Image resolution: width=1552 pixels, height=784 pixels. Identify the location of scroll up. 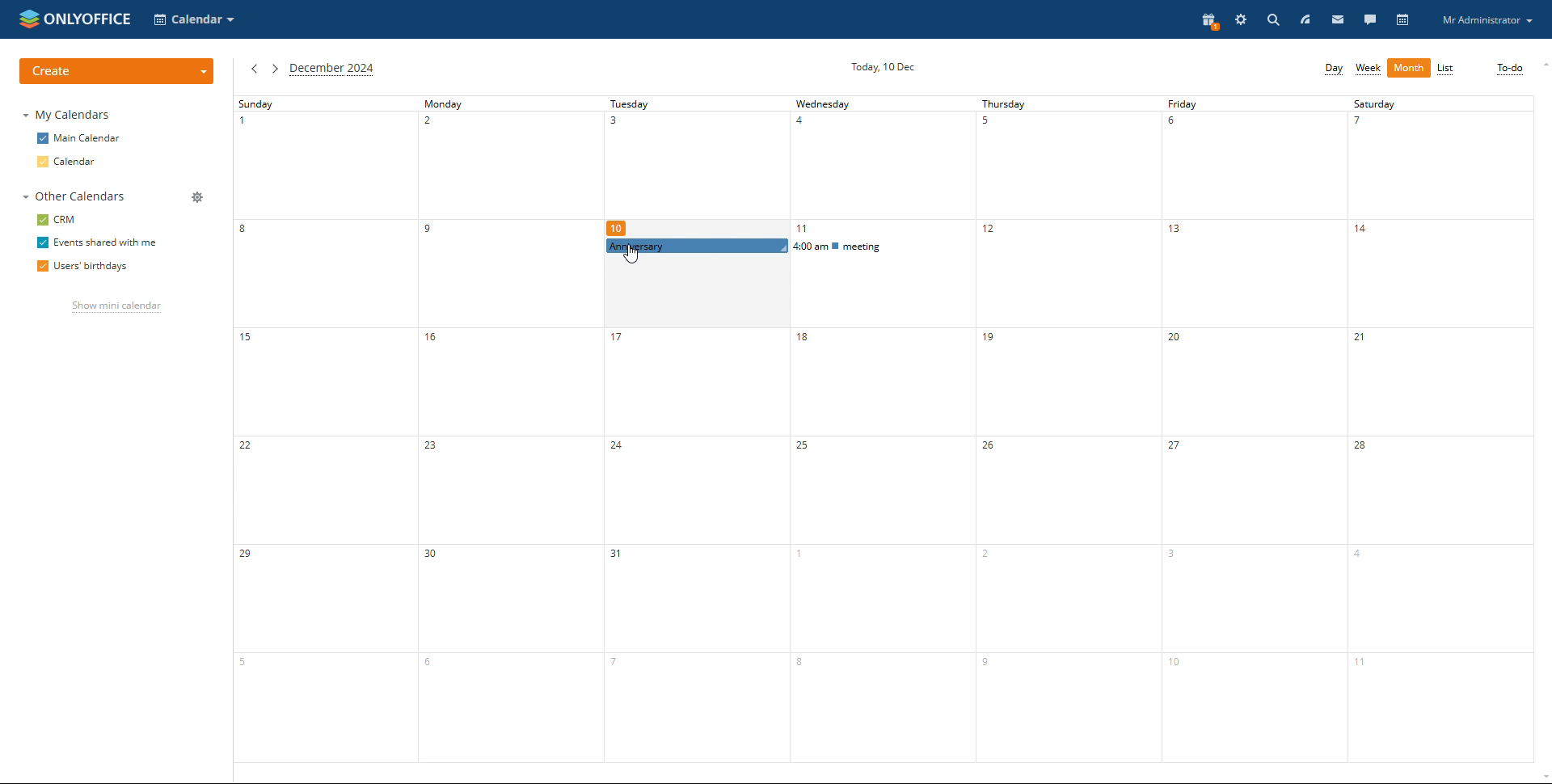
(1542, 65).